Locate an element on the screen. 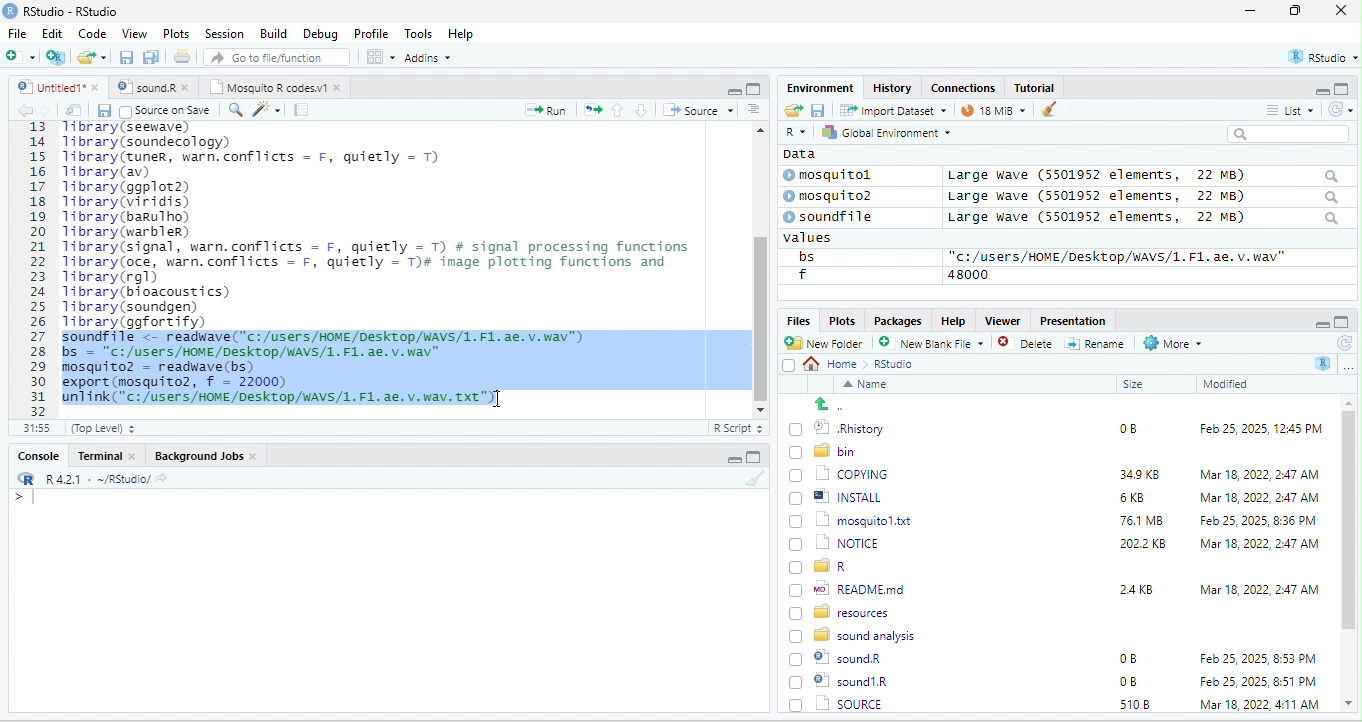  1302 KB is located at coordinates (1145, 704).